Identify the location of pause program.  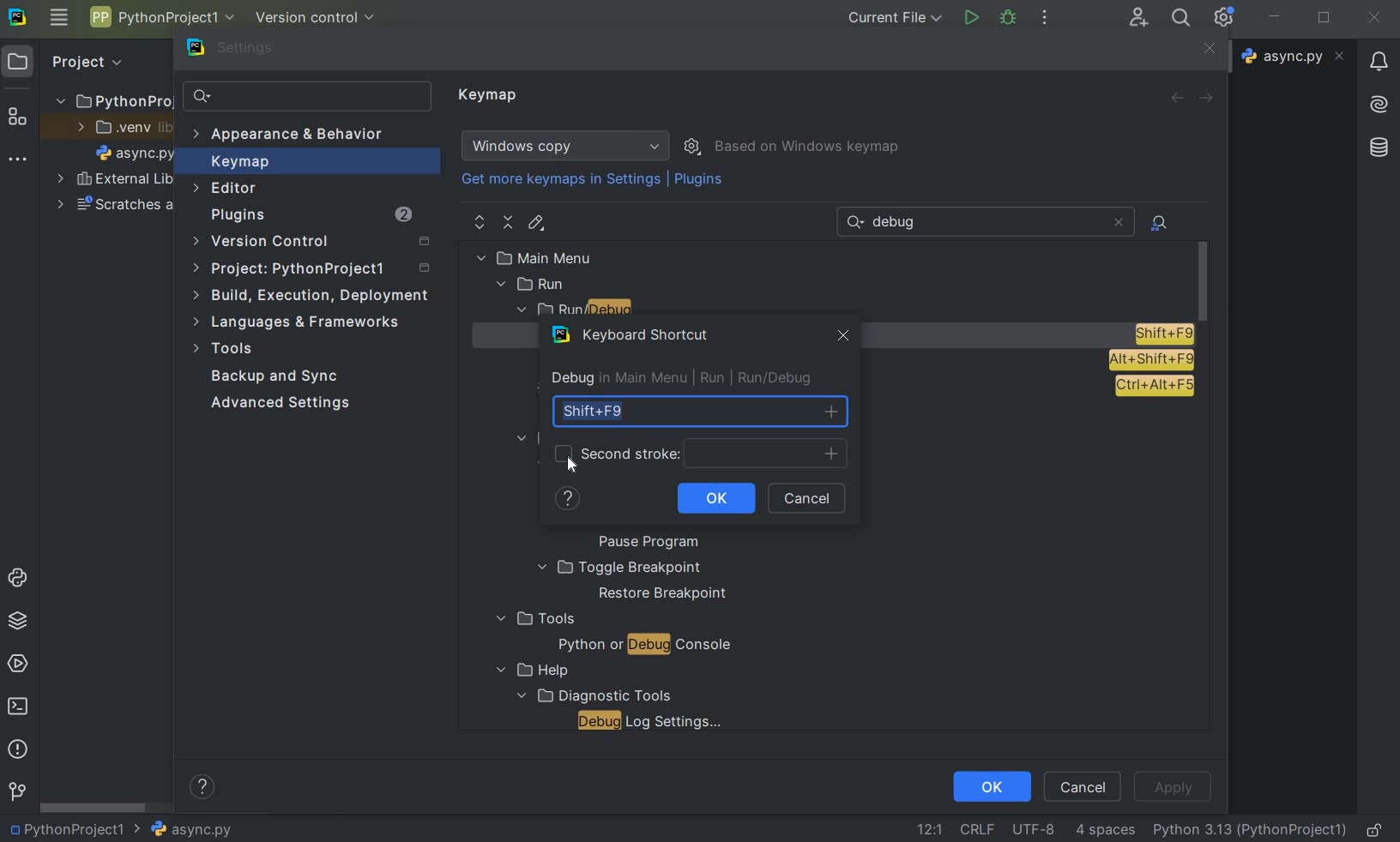
(643, 543).